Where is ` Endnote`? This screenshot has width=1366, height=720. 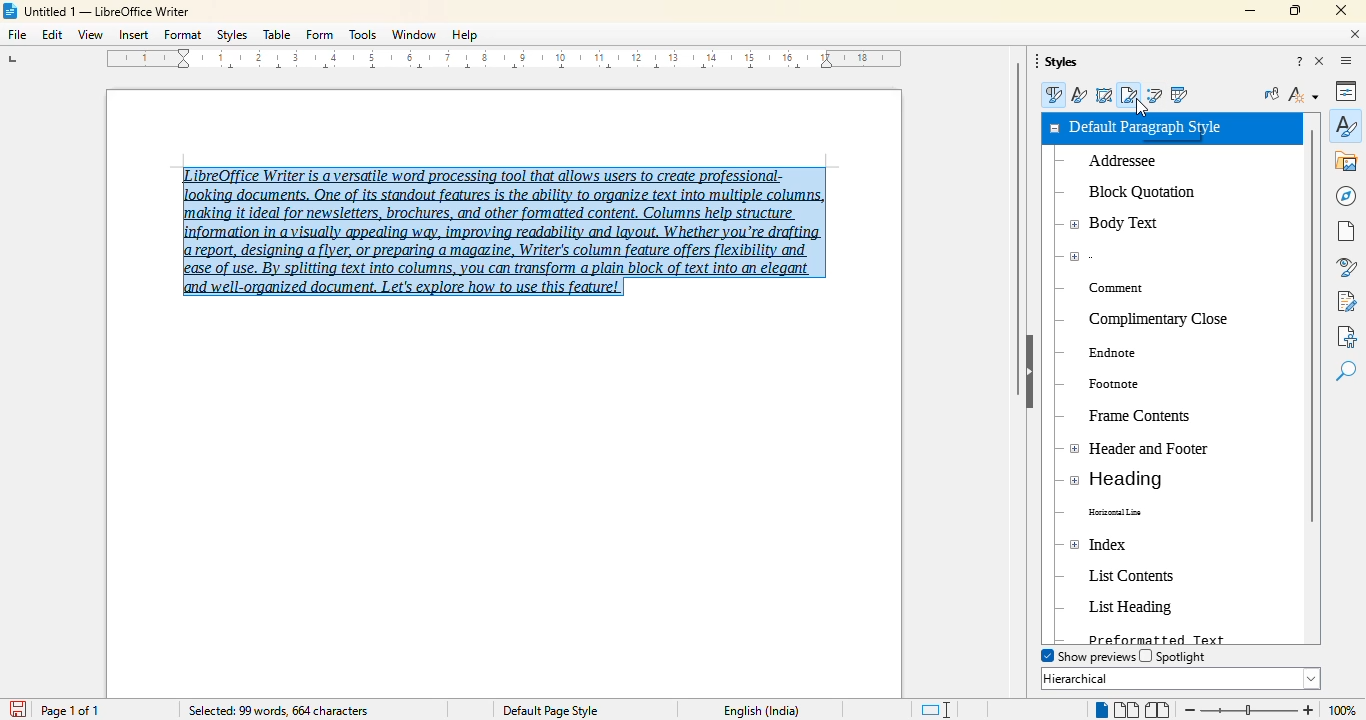  Endnote is located at coordinates (1119, 353).